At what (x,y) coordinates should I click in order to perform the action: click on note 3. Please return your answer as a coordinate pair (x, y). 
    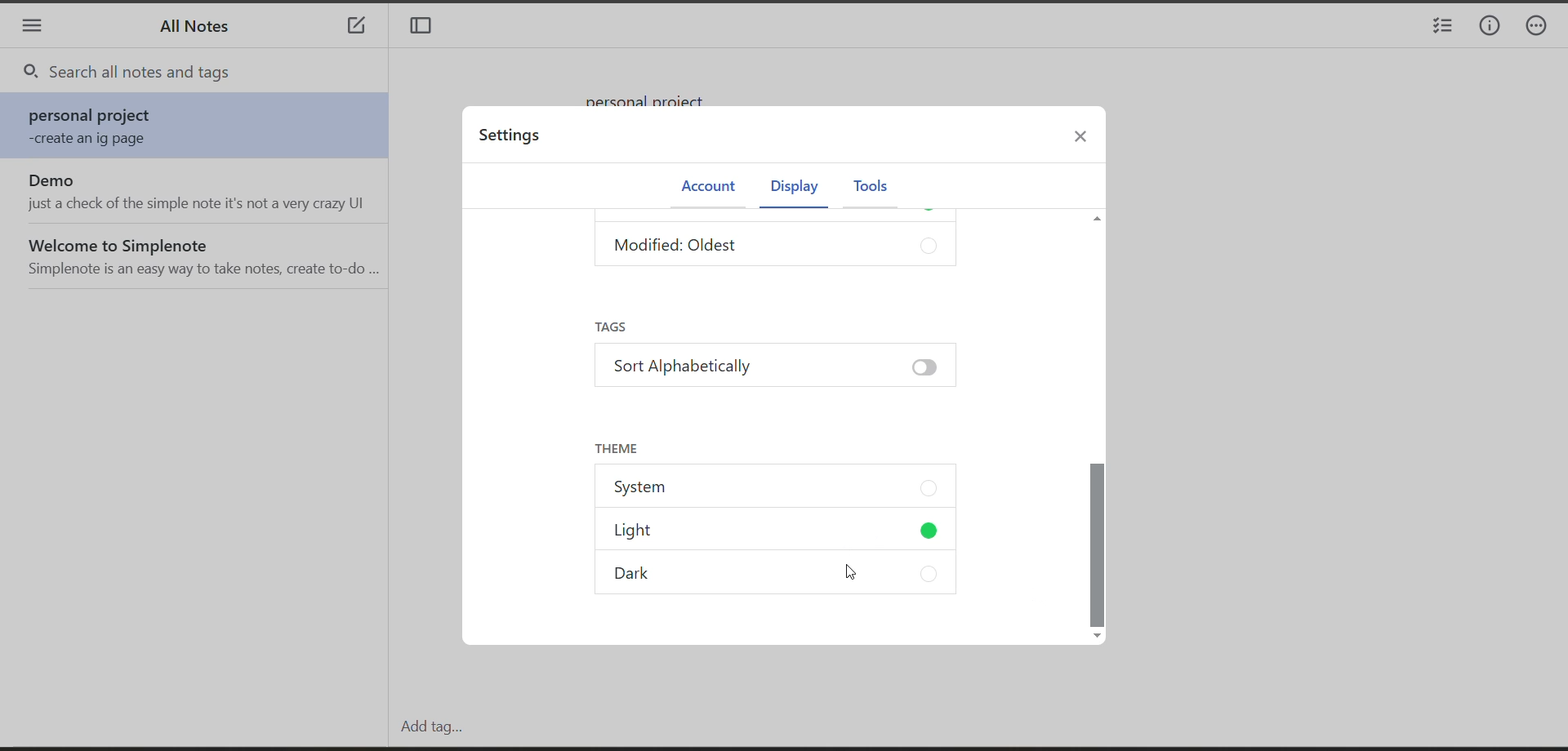
    Looking at the image, I should click on (200, 255).